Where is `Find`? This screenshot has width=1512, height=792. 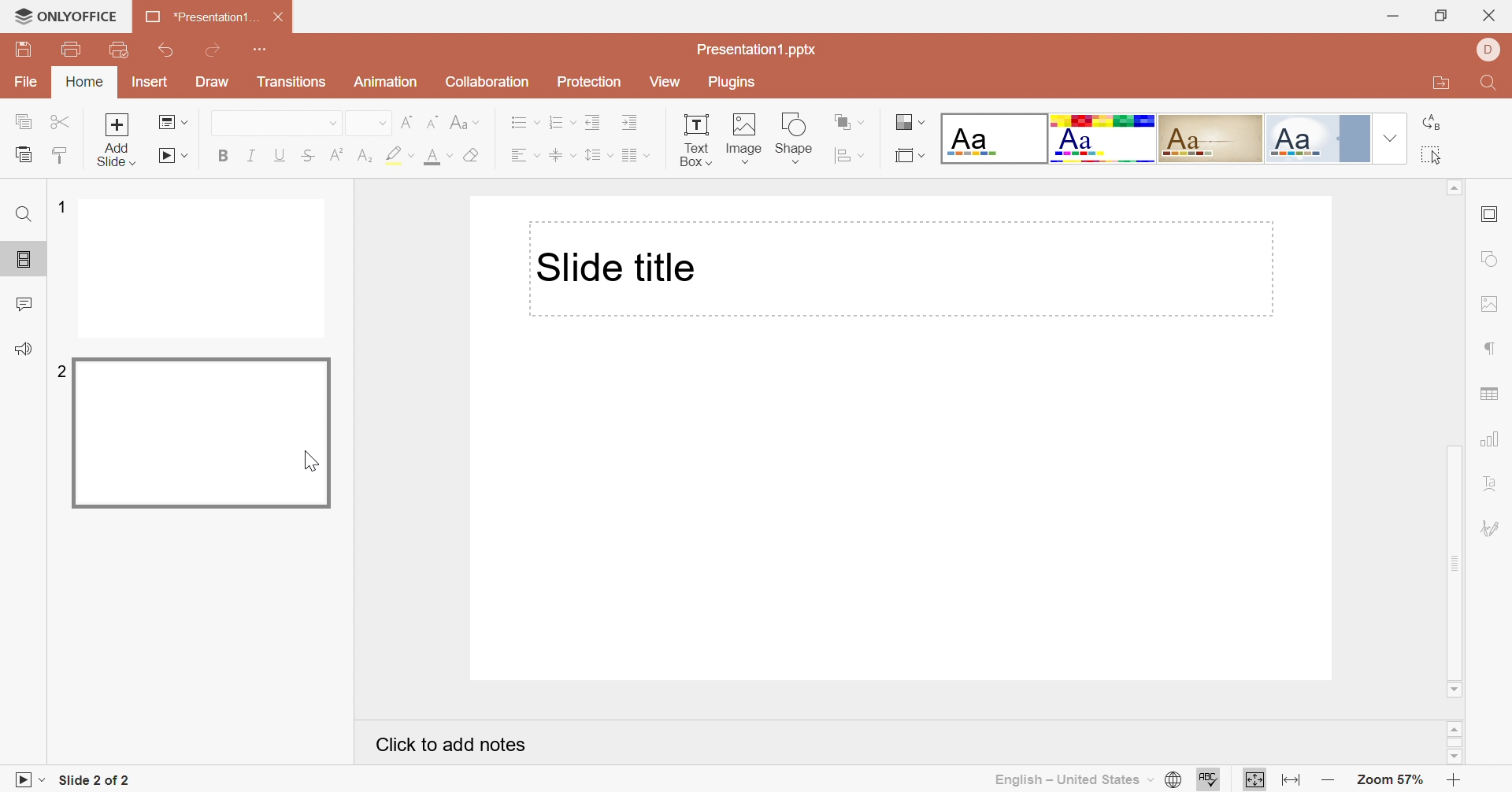
Find is located at coordinates (22, 215).